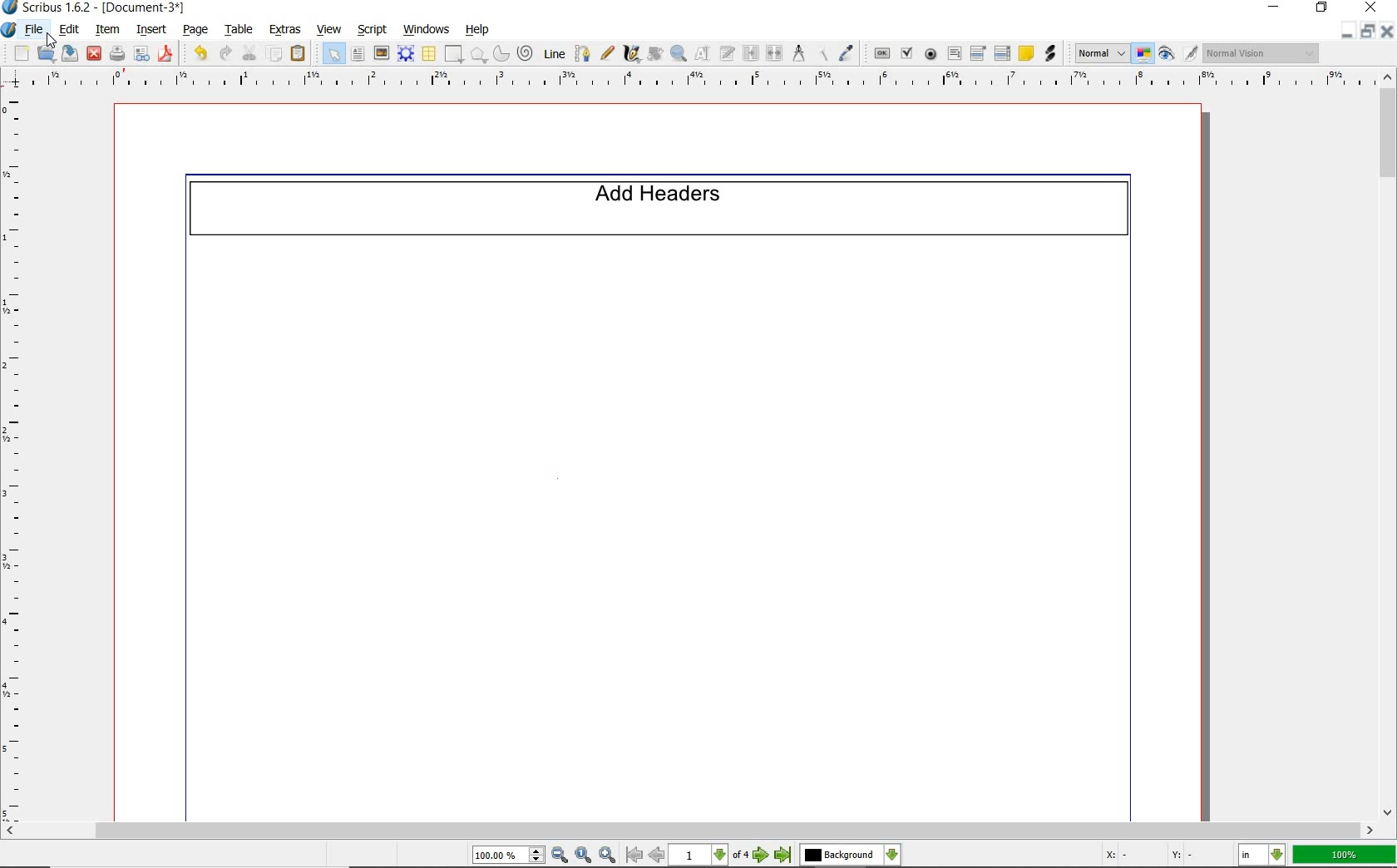 This screenshot has width=1397, height=868. What do you see at coordinates (1349, 31) in the screenshot?
I see `minimize` at bounding box center [1349, 31].